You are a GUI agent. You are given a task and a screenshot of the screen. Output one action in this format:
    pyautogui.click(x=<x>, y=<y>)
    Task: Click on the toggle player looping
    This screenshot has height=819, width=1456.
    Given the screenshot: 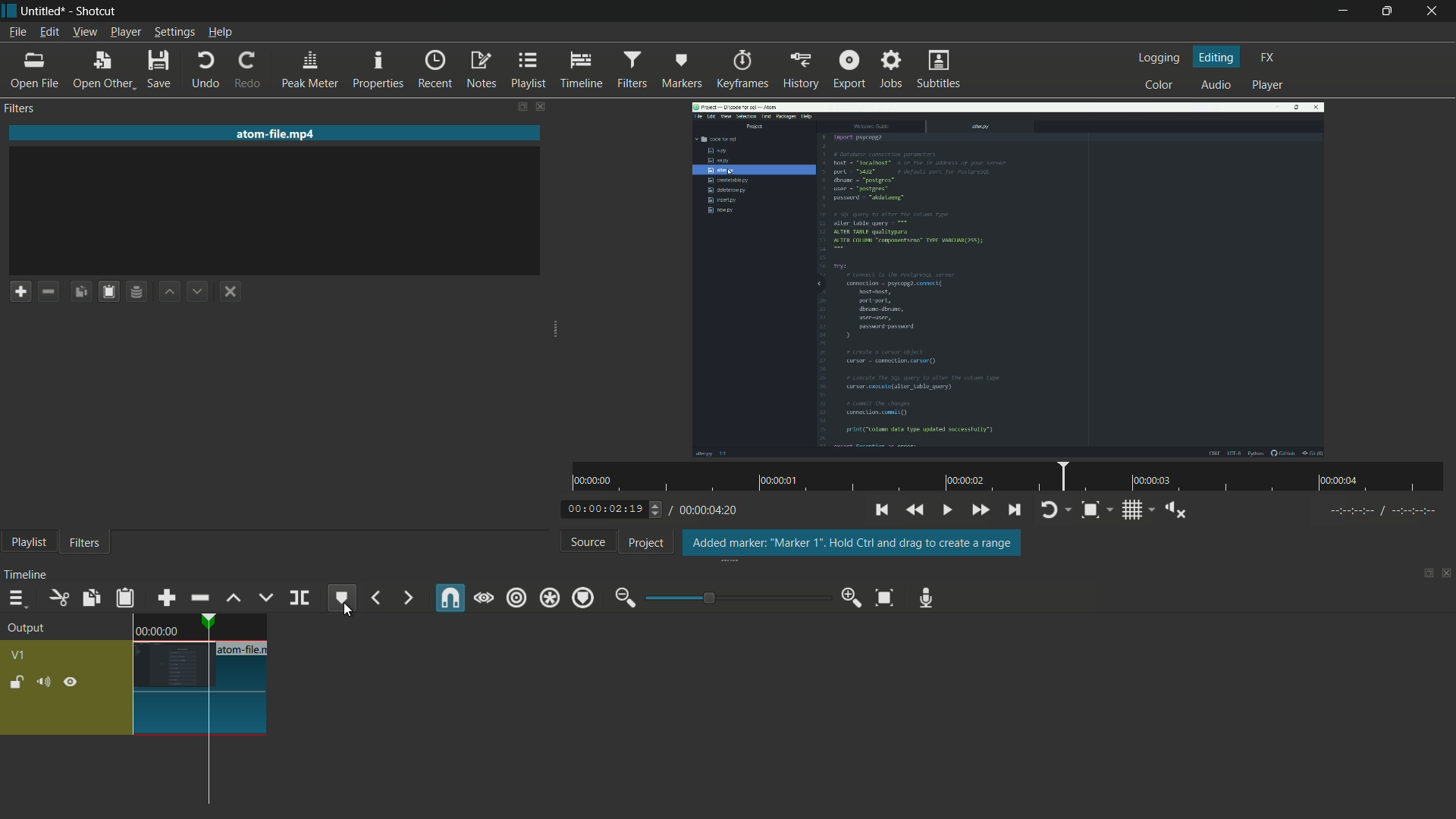 What is the action you would take?
    pyautogui.click(x=1050, y=510)
    